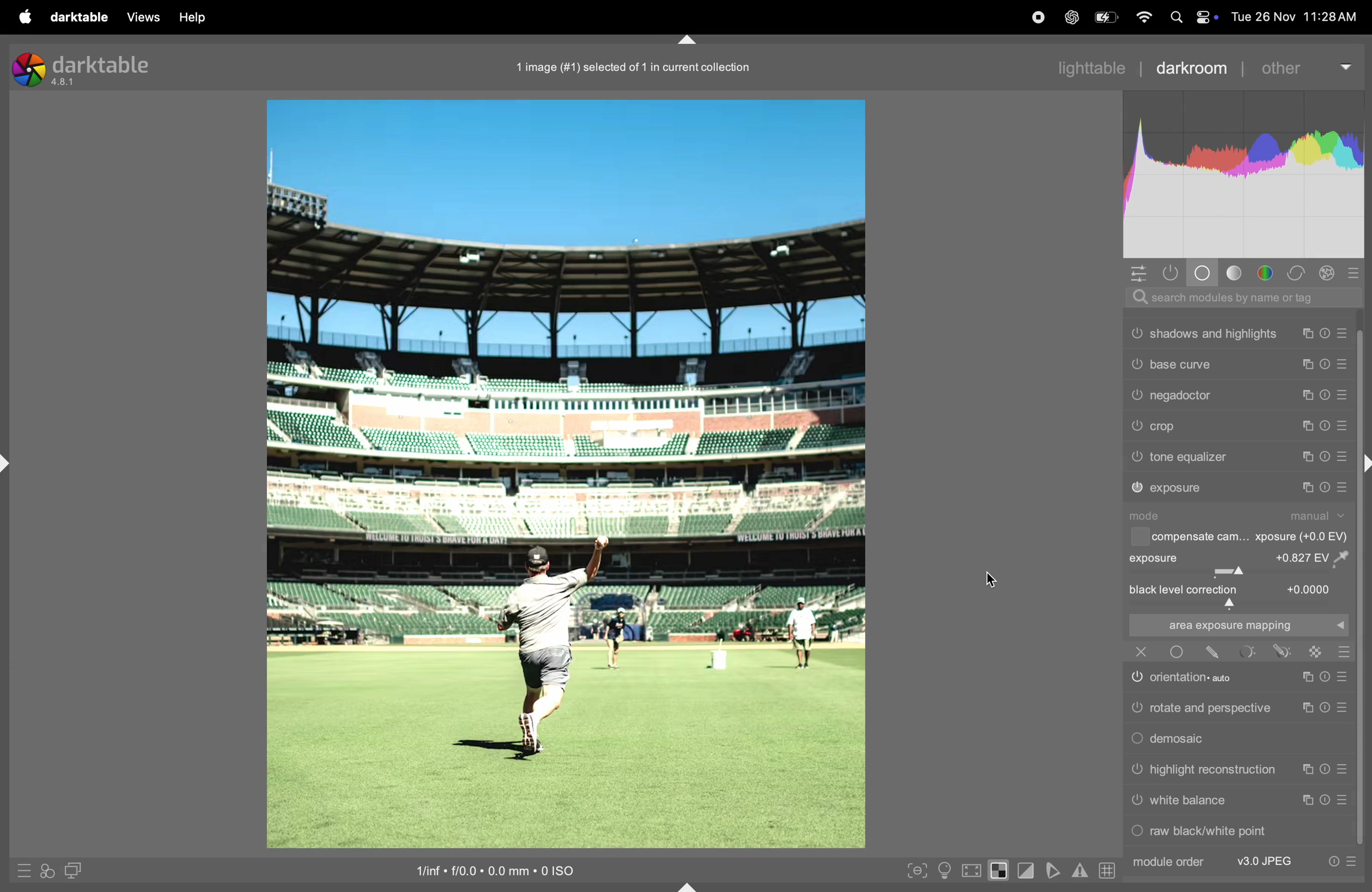 The image size is (1372, 892). Describe the element at coordinates (1267, 273) in the screenshot. I see `color` at that location.